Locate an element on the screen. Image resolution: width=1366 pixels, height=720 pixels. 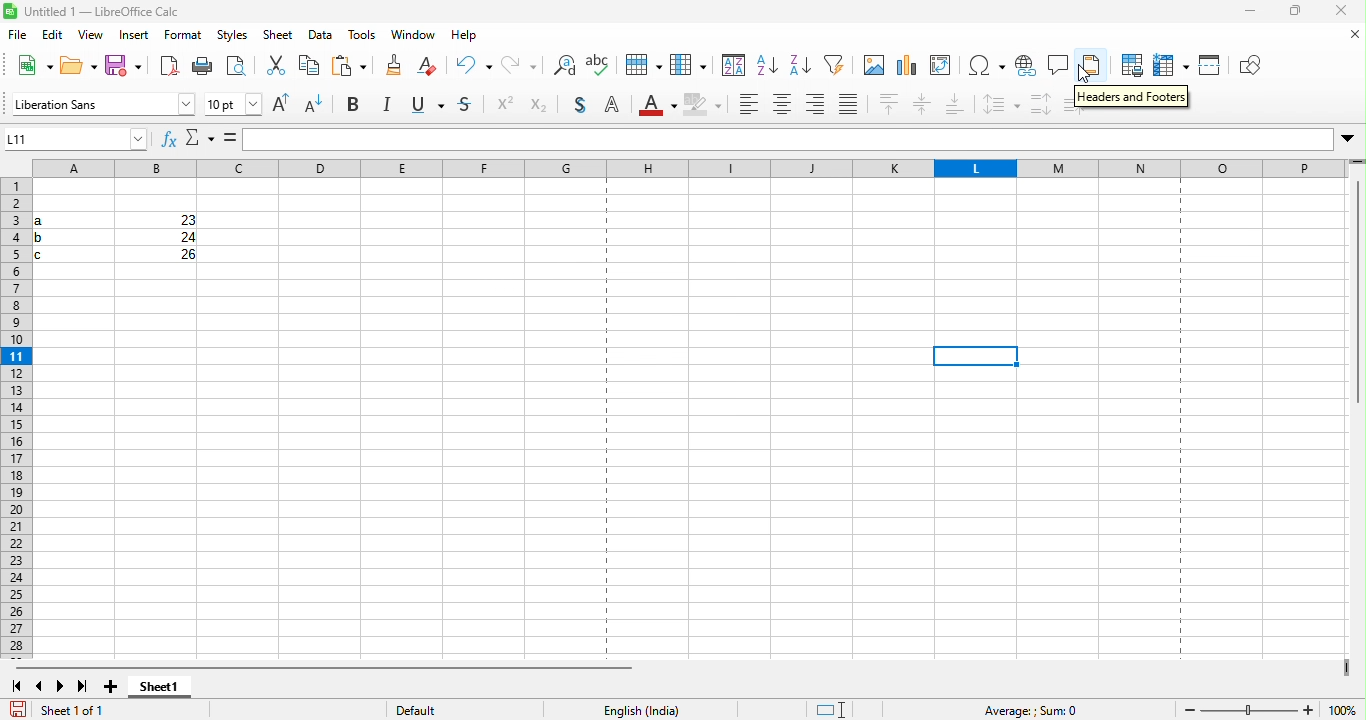
chart is located at coordinates (908, 66).